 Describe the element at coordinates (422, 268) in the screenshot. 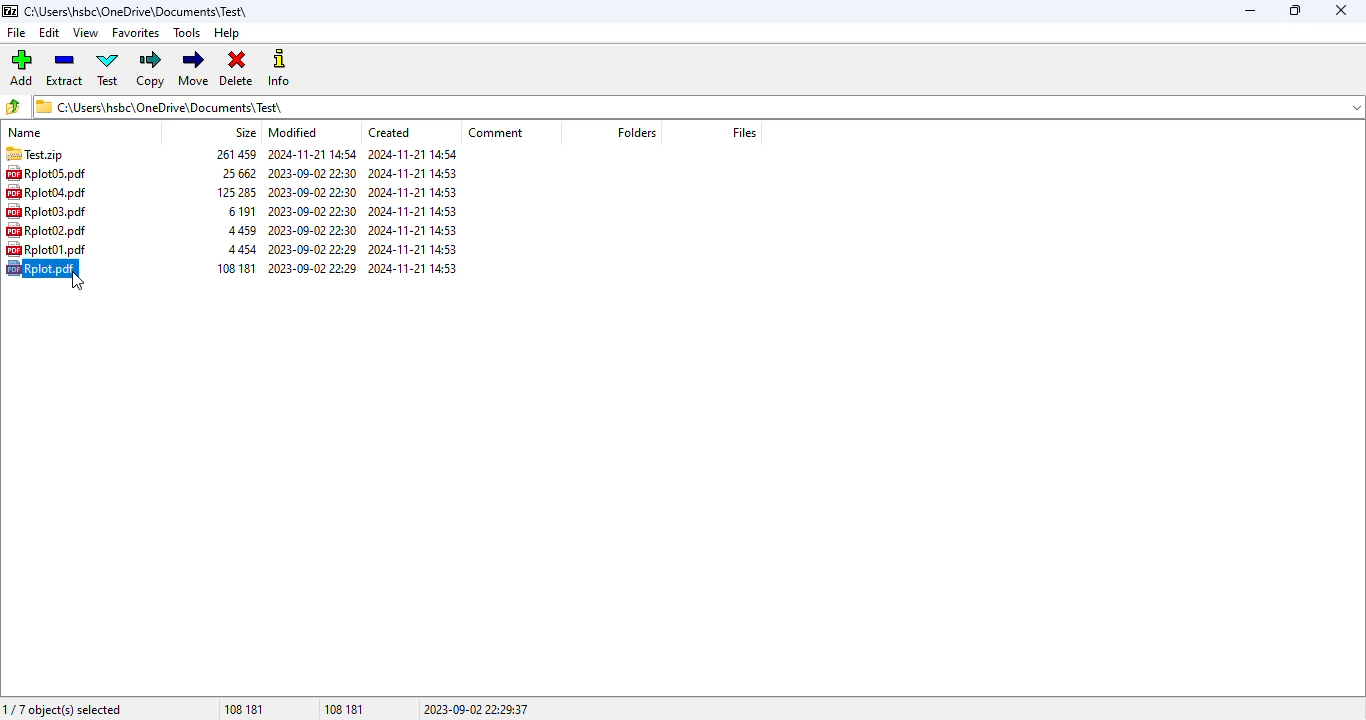

I see ` 2024-11-21 14:53` at that location.